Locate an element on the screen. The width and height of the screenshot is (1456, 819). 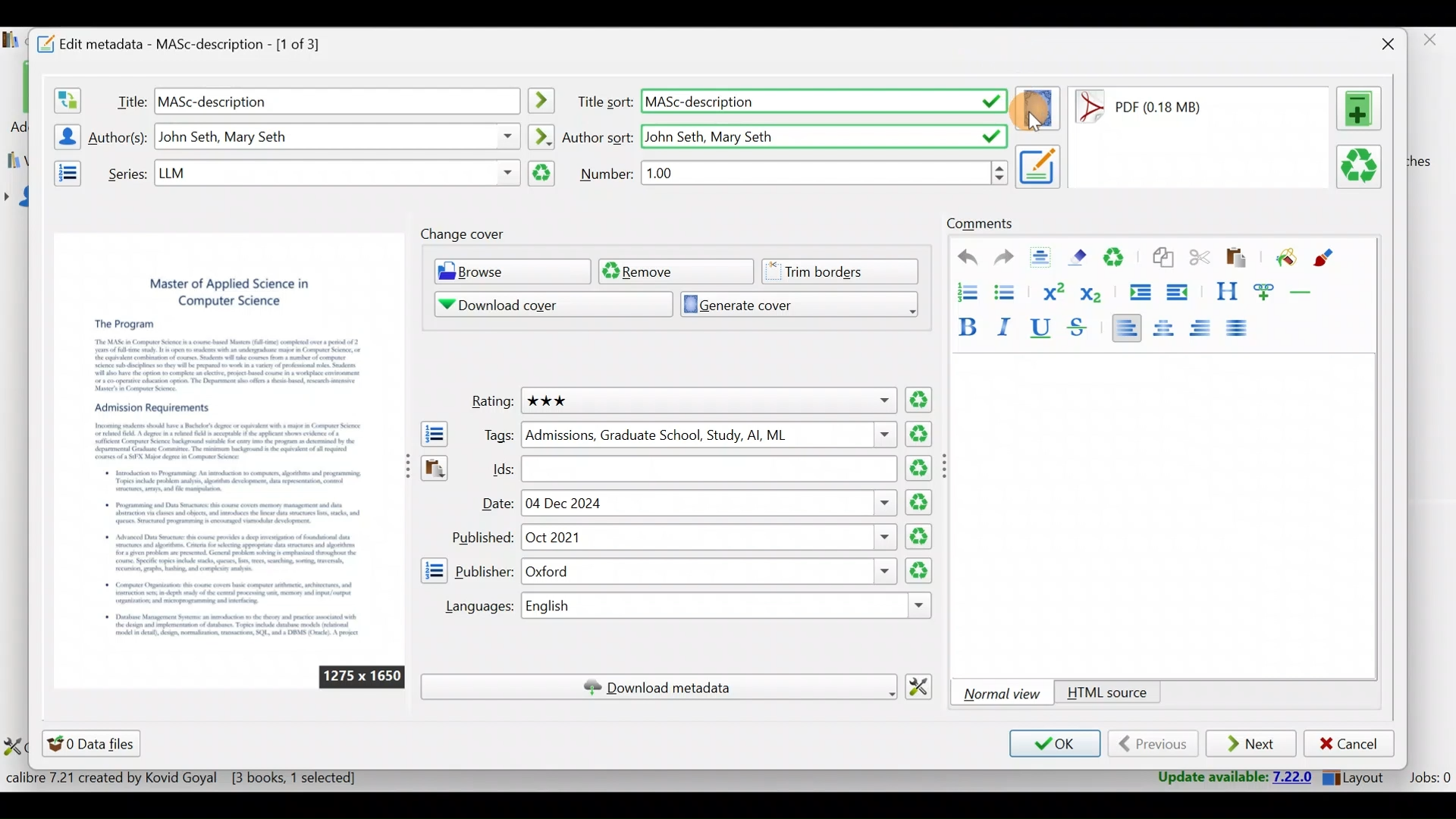
Publisher is located at coordinates (485, 570).